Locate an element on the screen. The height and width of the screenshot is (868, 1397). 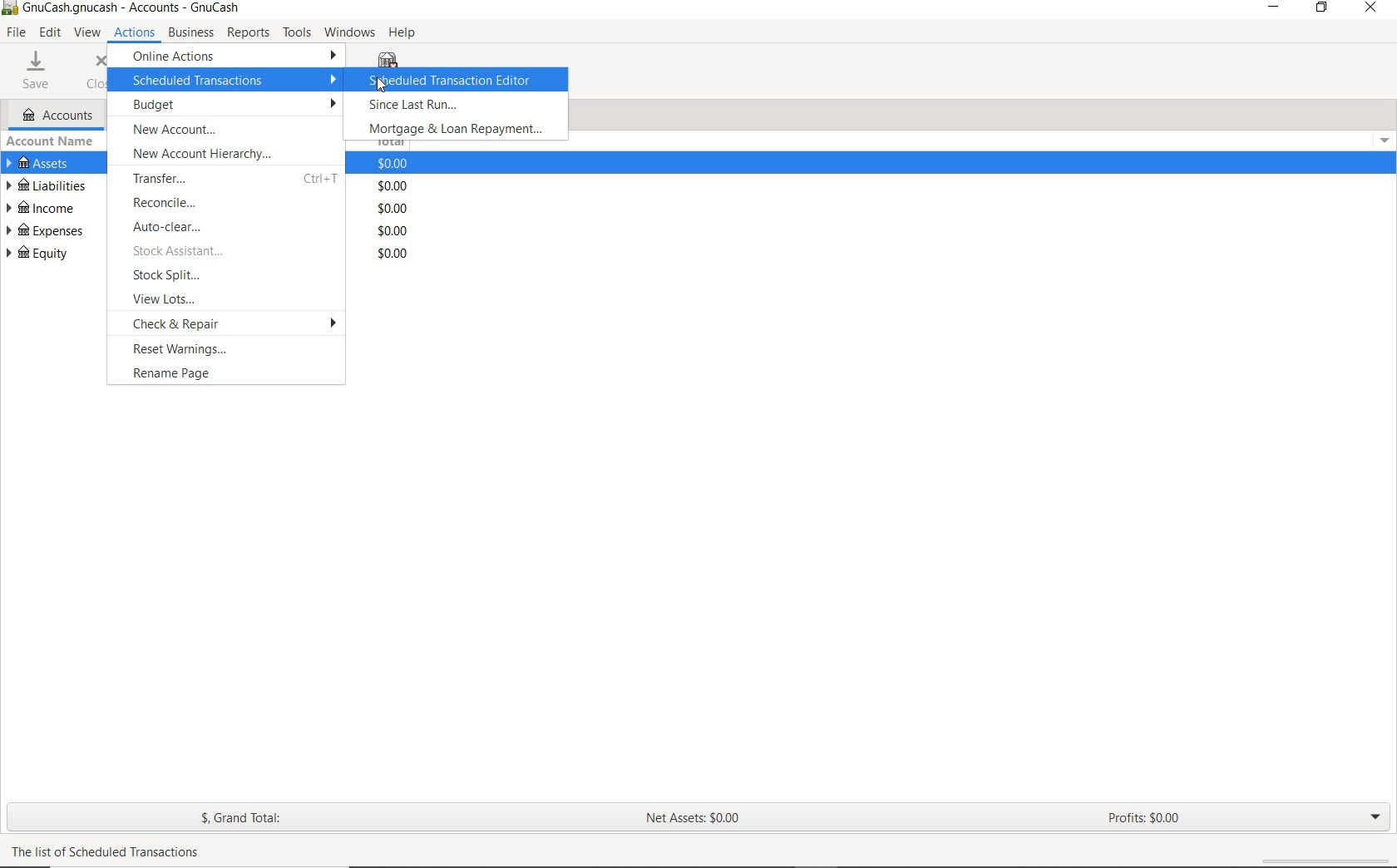
EXPENSES is located at coordinates (42, 229).